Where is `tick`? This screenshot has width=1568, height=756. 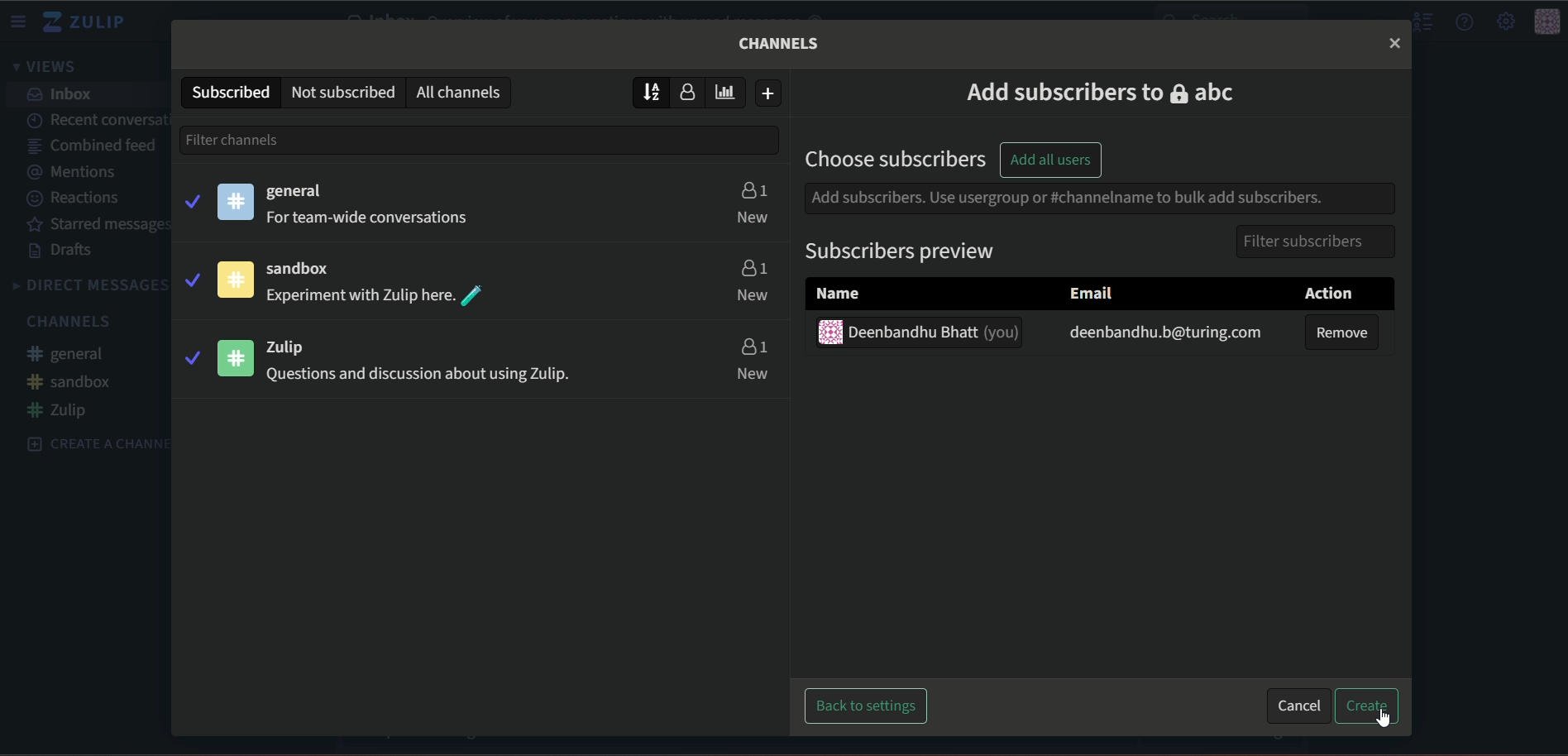 tick is located at coordinates (191, 199).